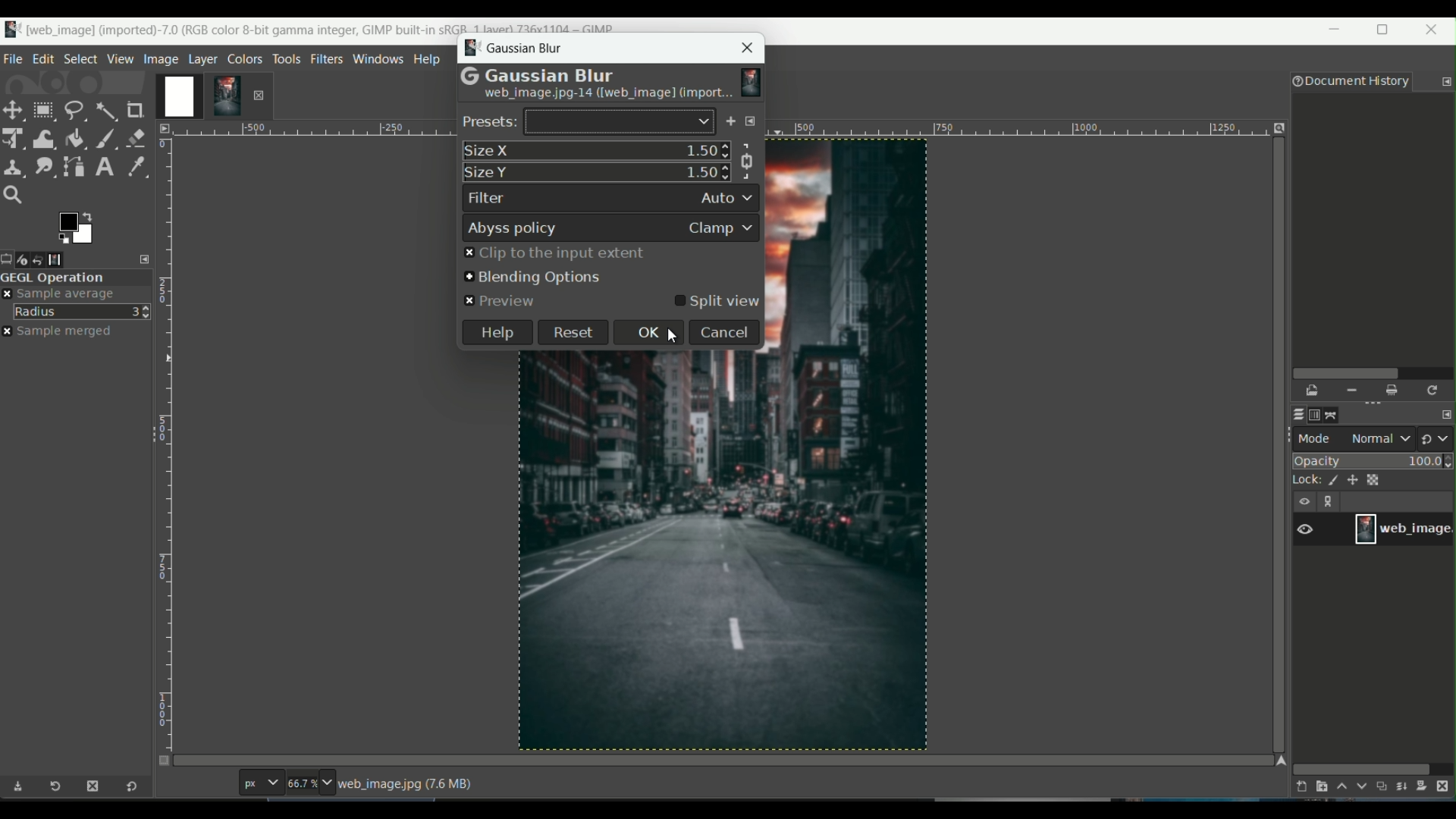  Describe the element at coordinates (409, 784) in the screenshot. I see `description` at that location.